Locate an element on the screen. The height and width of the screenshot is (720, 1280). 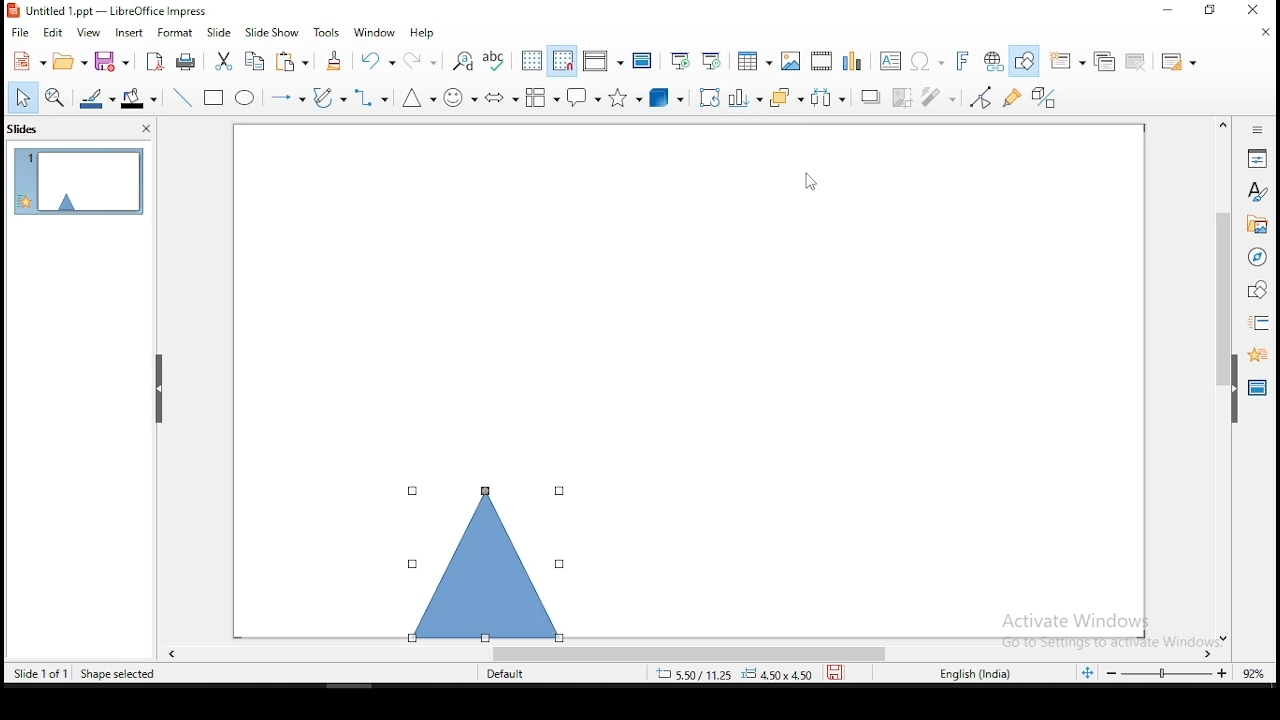
block arrows is located at coordinates (501, 96).